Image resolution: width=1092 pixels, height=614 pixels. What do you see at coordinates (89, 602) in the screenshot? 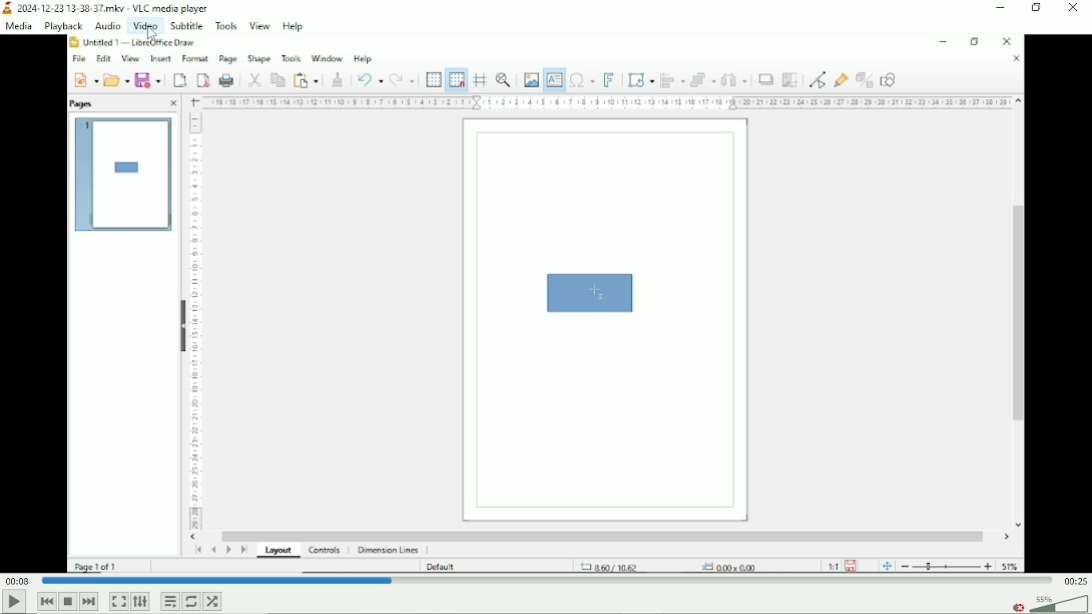
I see `Next` at bounding box center [89, 602].